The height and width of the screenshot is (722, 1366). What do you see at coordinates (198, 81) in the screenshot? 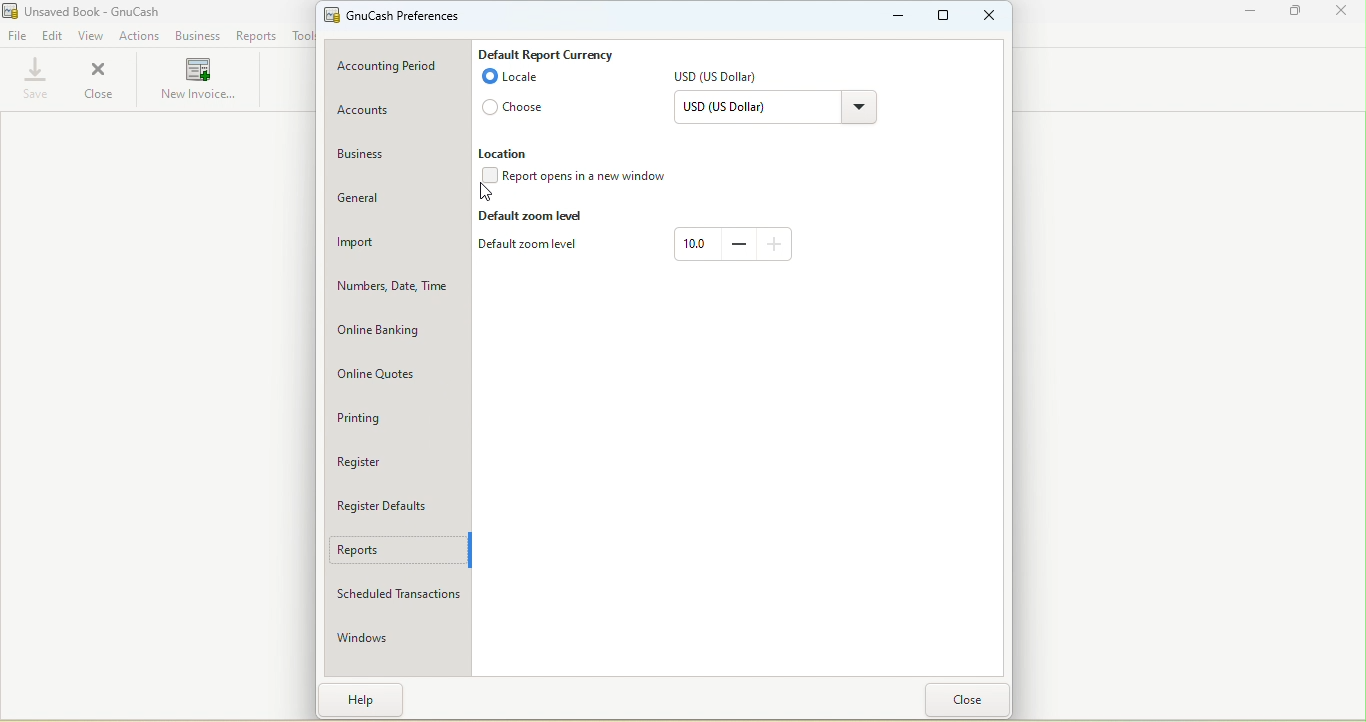
I see `New invoice` at bounding box center [198, 81].